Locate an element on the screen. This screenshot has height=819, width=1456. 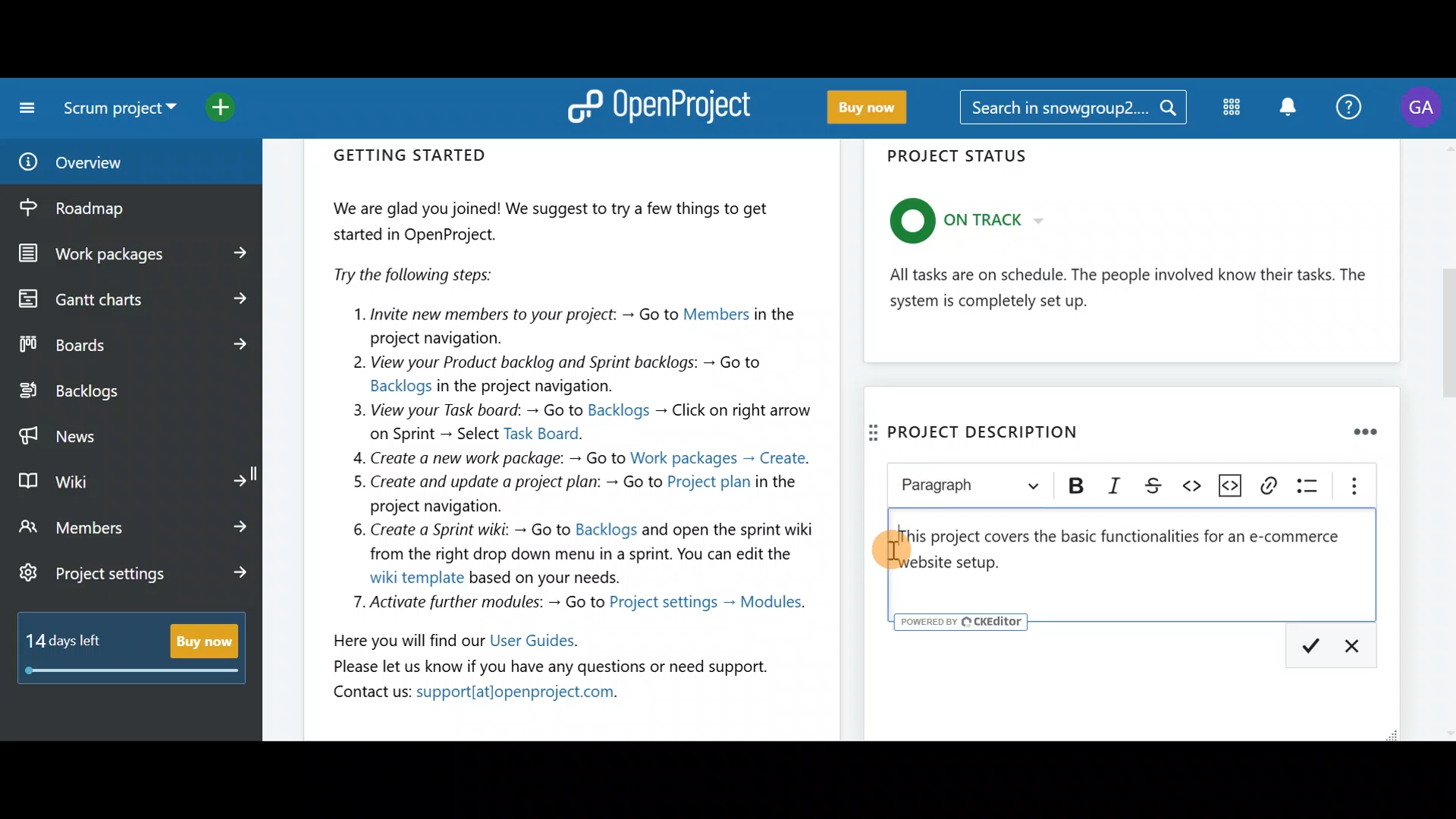
Roadmap is located at coordinates (105, 209).